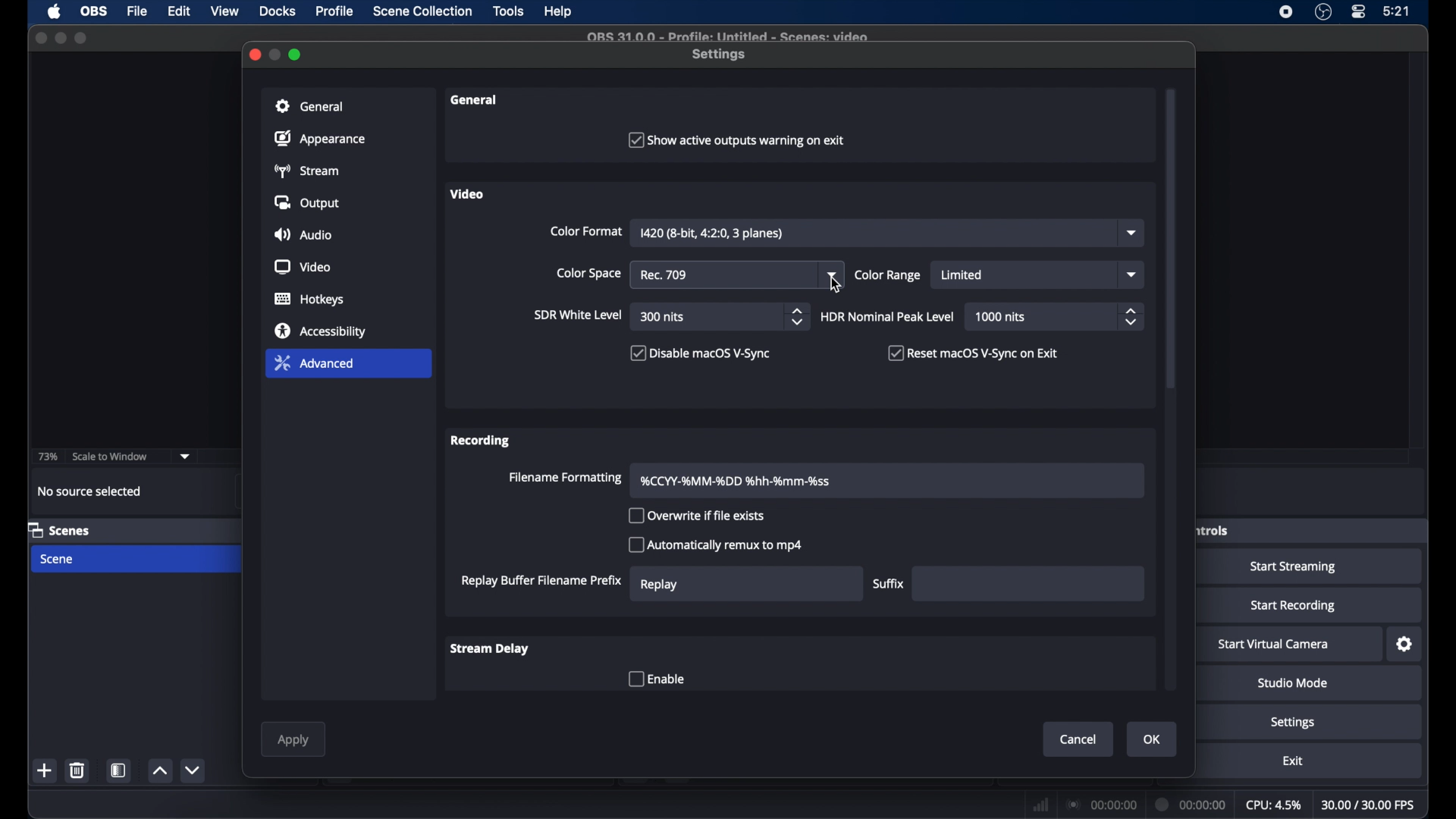 This screenshot has height=819, width=1456. What do you see at coordinates (292, 740) in the screenshot?
I see `apply` at bounding box center [292, 740].